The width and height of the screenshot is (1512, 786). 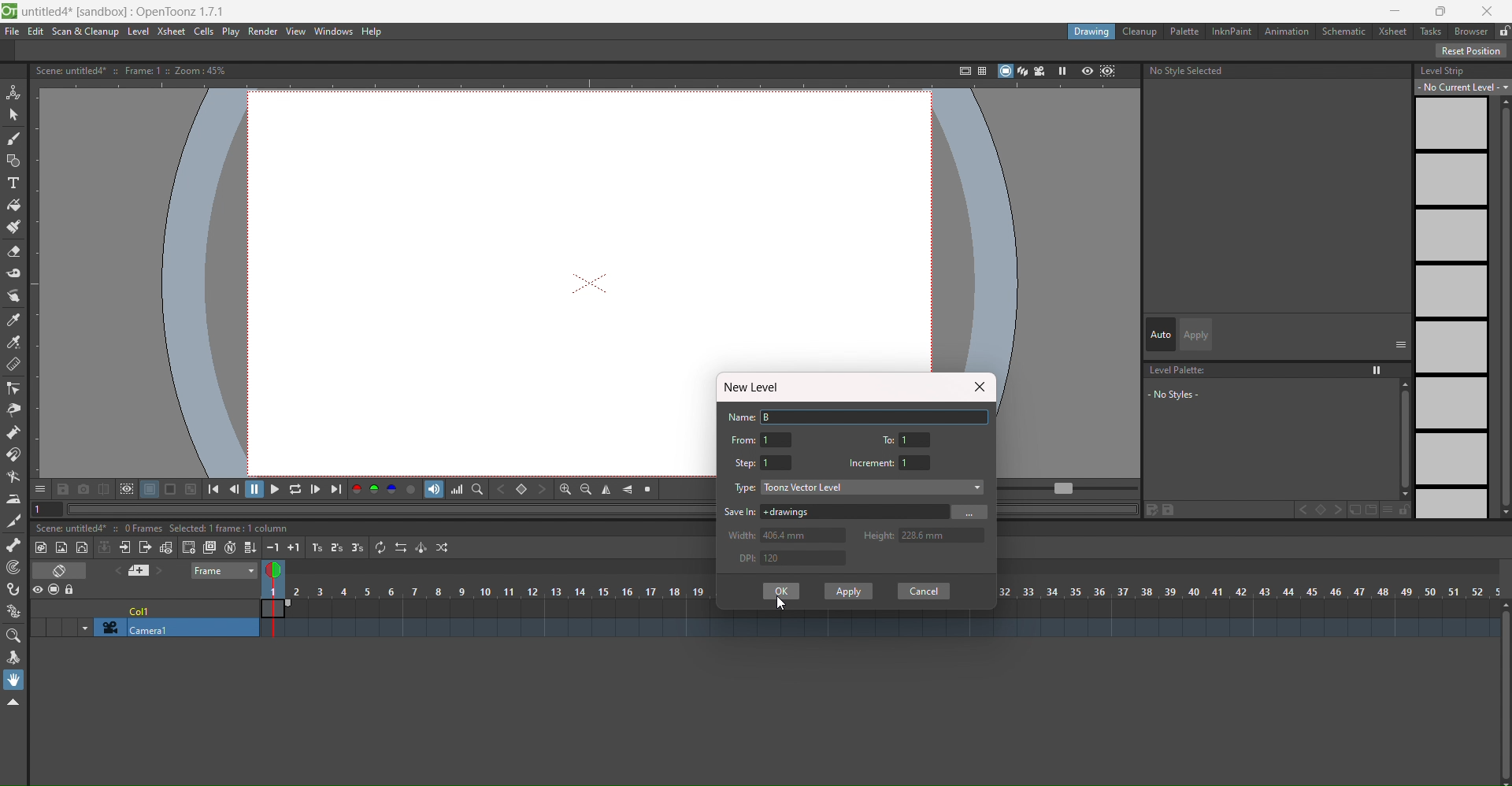 What do you see at coordinates (143, 609) in the screenshot?
I see `cell` at bounding box center [143, 609].